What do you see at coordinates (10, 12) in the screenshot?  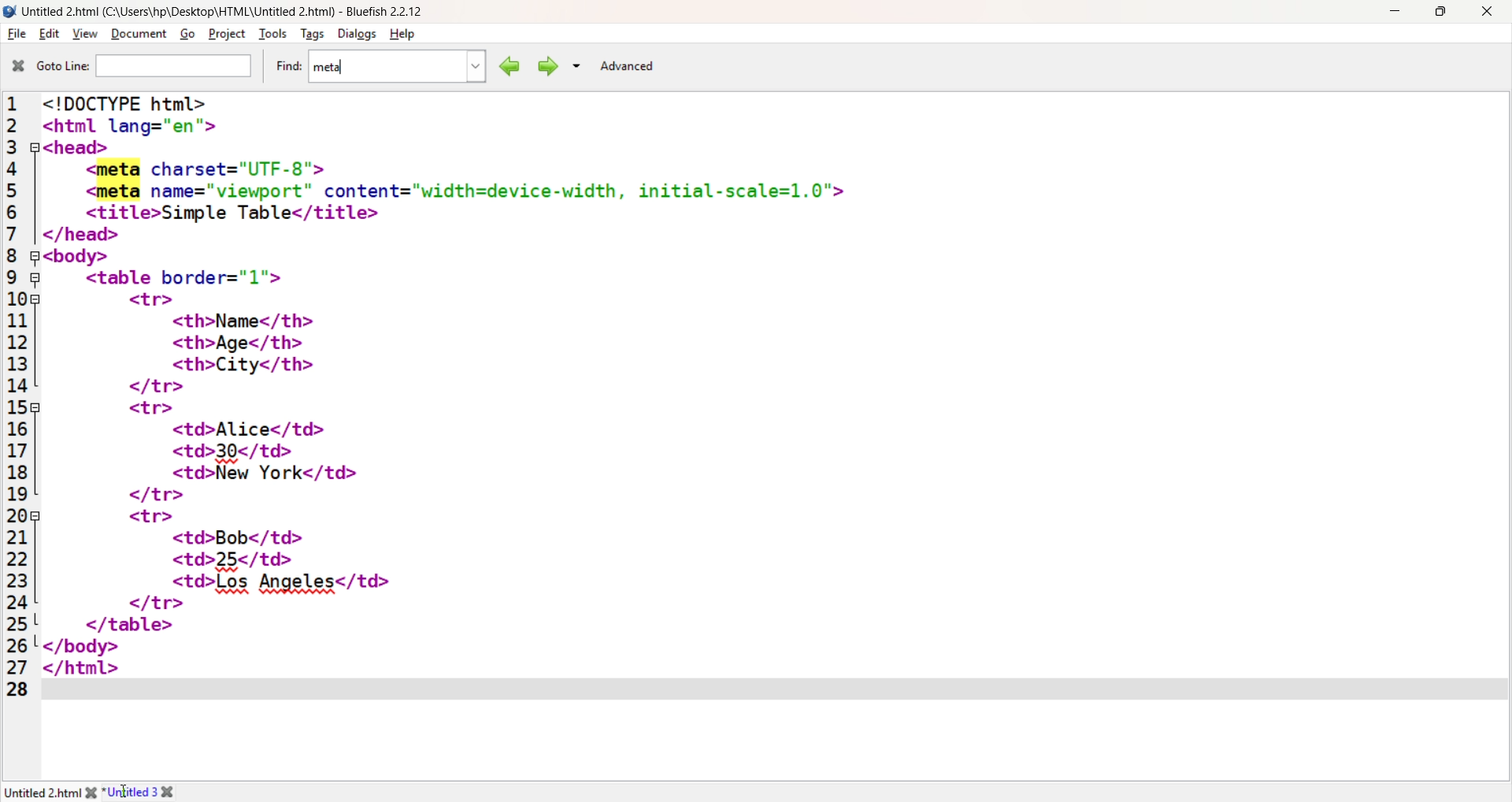 I see `Logo` at bounding box center [10, 12].